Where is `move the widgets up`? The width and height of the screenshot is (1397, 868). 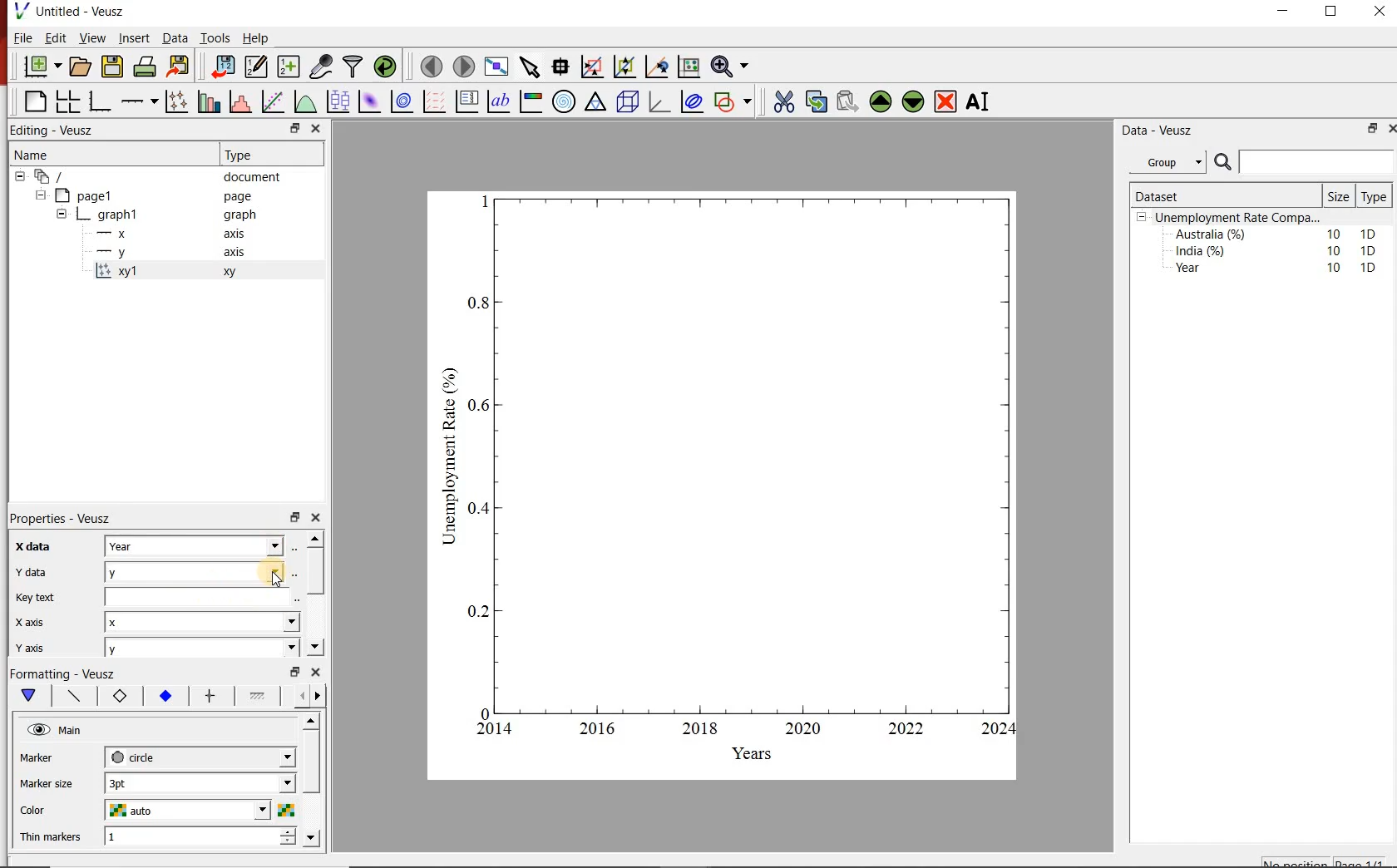
move the widgets up is located at coordinates (881, 101).